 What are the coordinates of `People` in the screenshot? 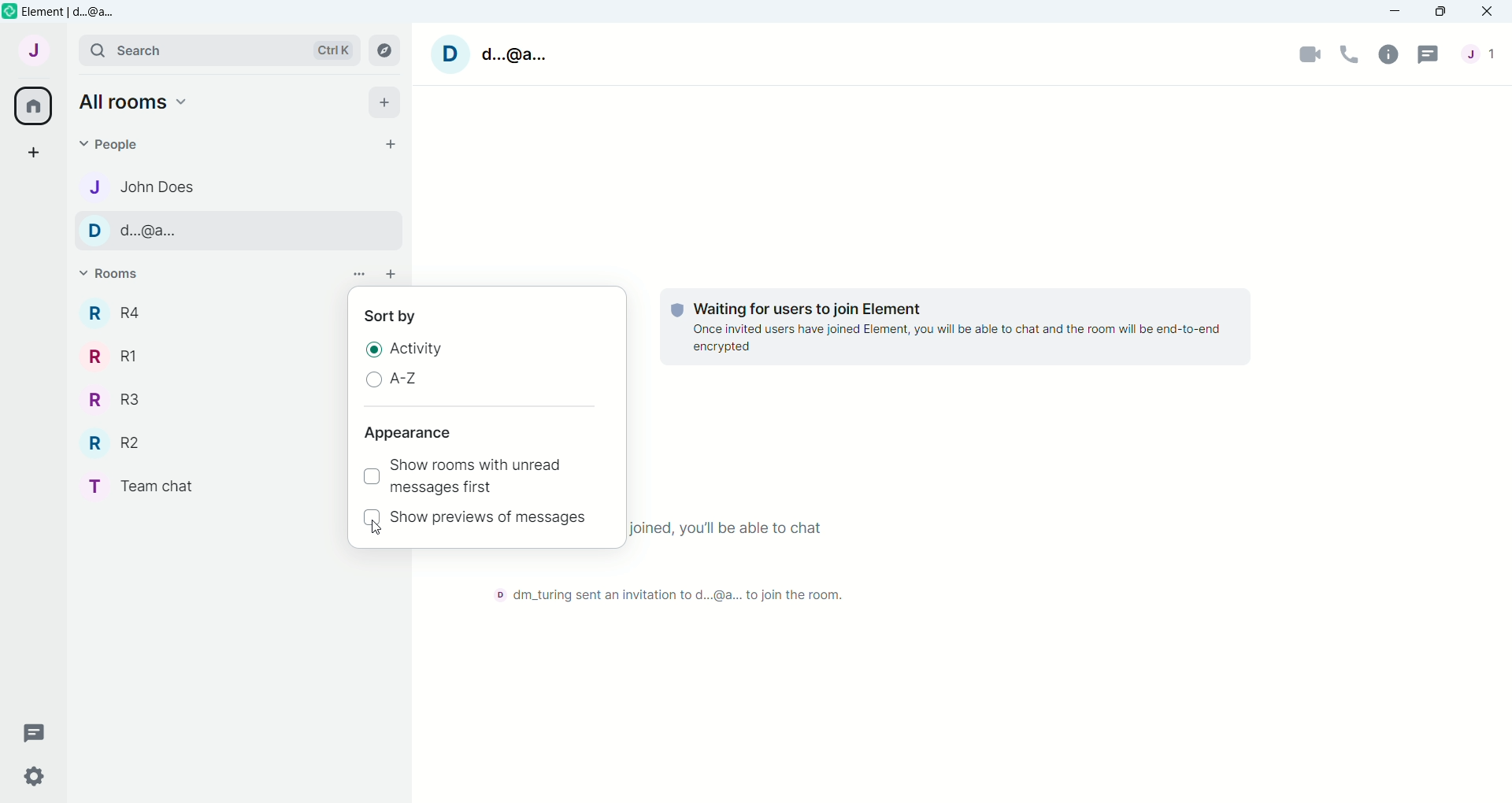 It's located at (1483, 54).